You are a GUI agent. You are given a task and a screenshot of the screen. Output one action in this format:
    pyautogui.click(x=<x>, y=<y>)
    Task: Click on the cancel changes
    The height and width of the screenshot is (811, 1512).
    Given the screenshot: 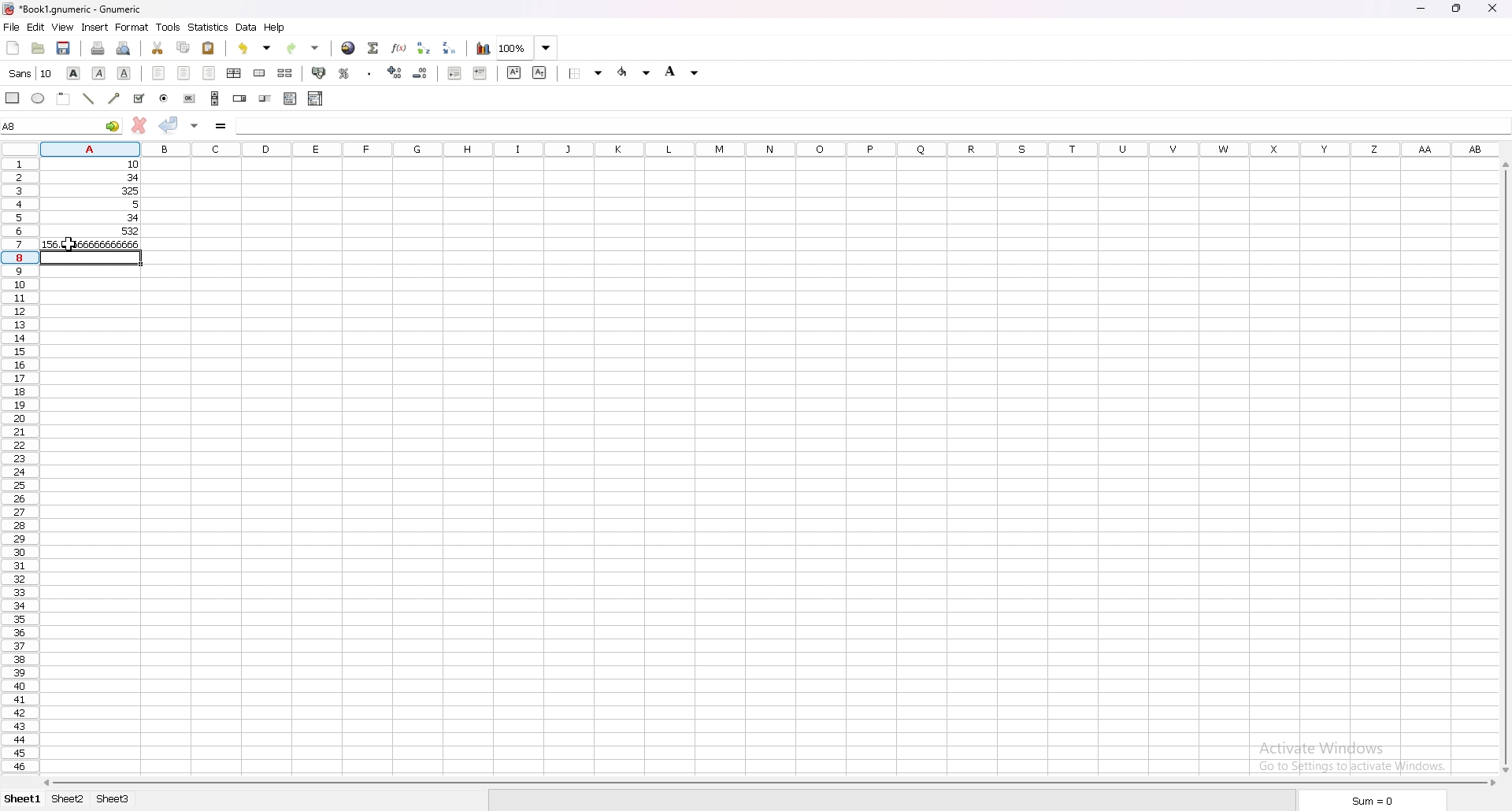 What is the action you would take?
    pyautogui.click(x=139, y=125)
    